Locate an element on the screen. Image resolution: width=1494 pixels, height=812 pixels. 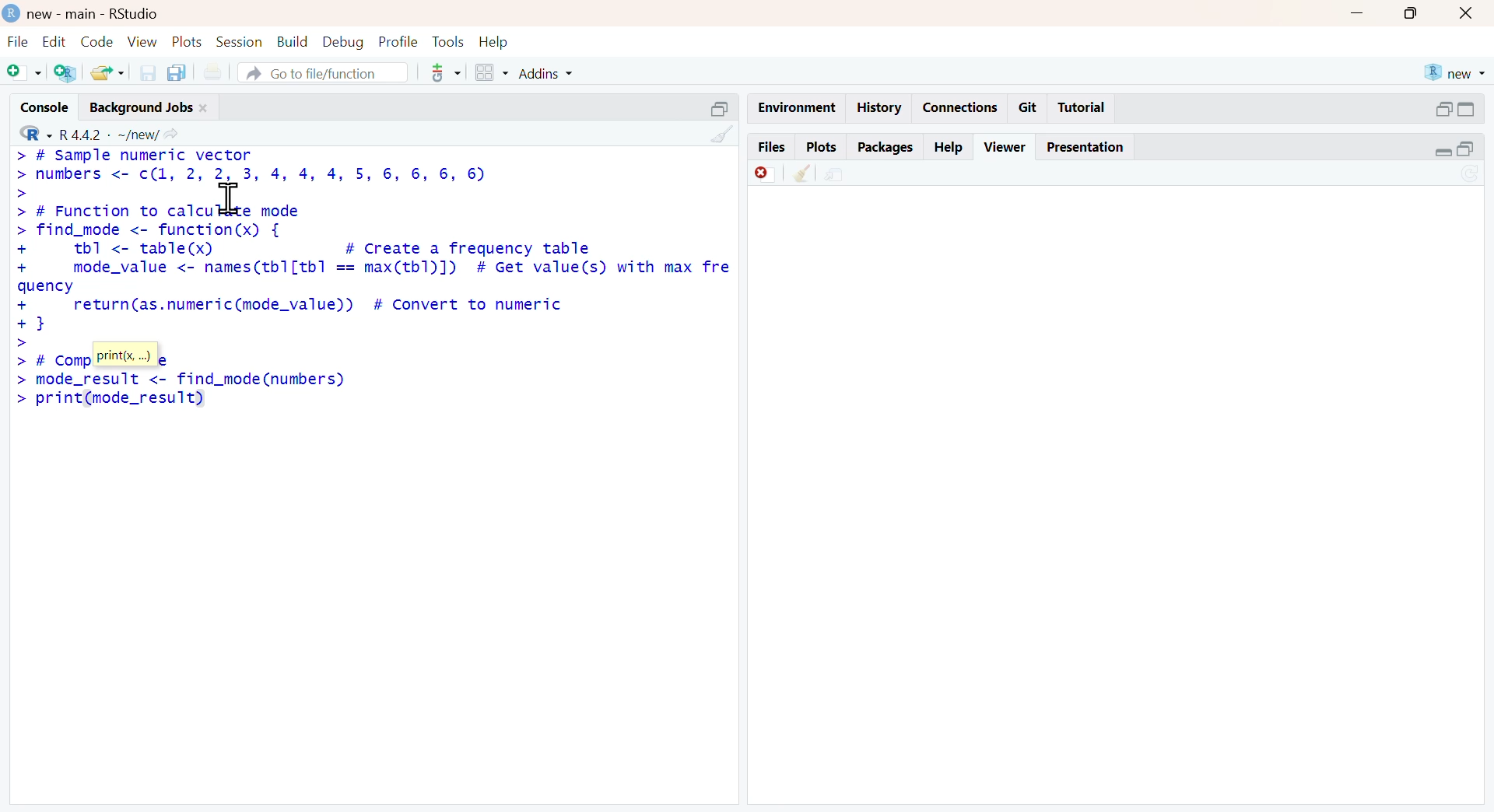
tools is located at coordinates (450, 41).